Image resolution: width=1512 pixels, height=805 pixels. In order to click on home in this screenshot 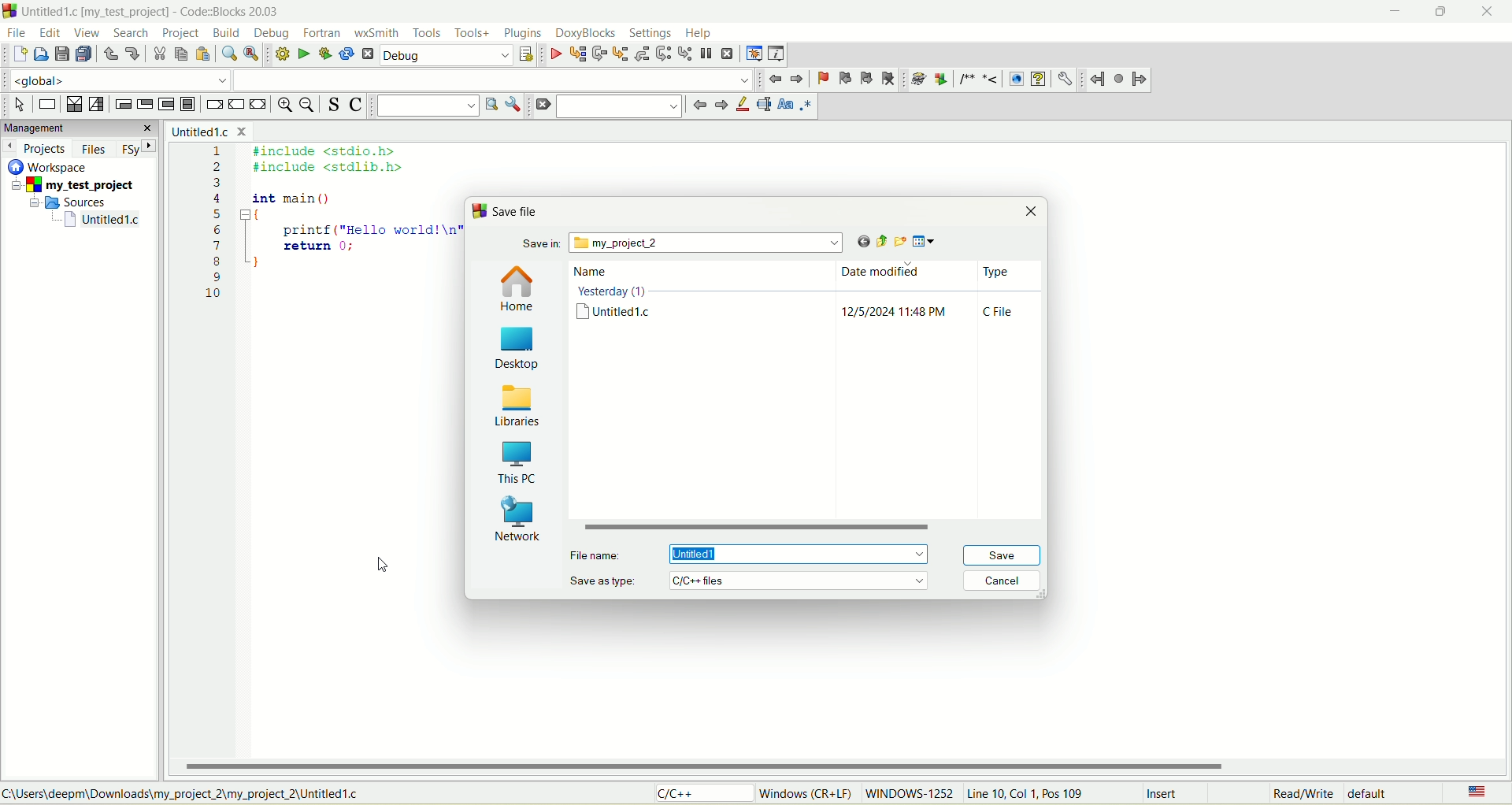, I will do `click(519, 289)`.